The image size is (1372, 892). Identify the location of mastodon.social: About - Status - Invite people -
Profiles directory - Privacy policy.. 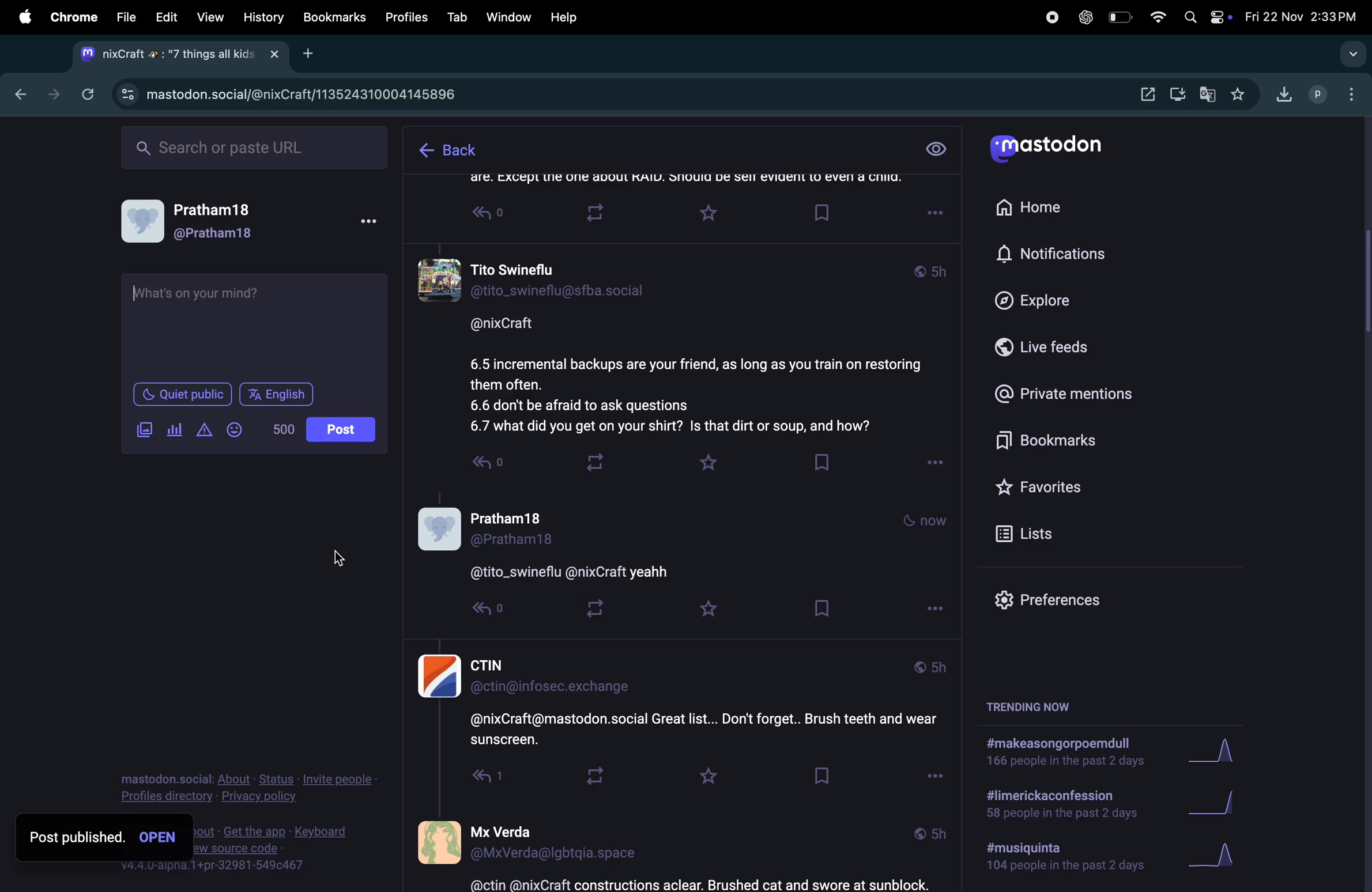
(247, 779).